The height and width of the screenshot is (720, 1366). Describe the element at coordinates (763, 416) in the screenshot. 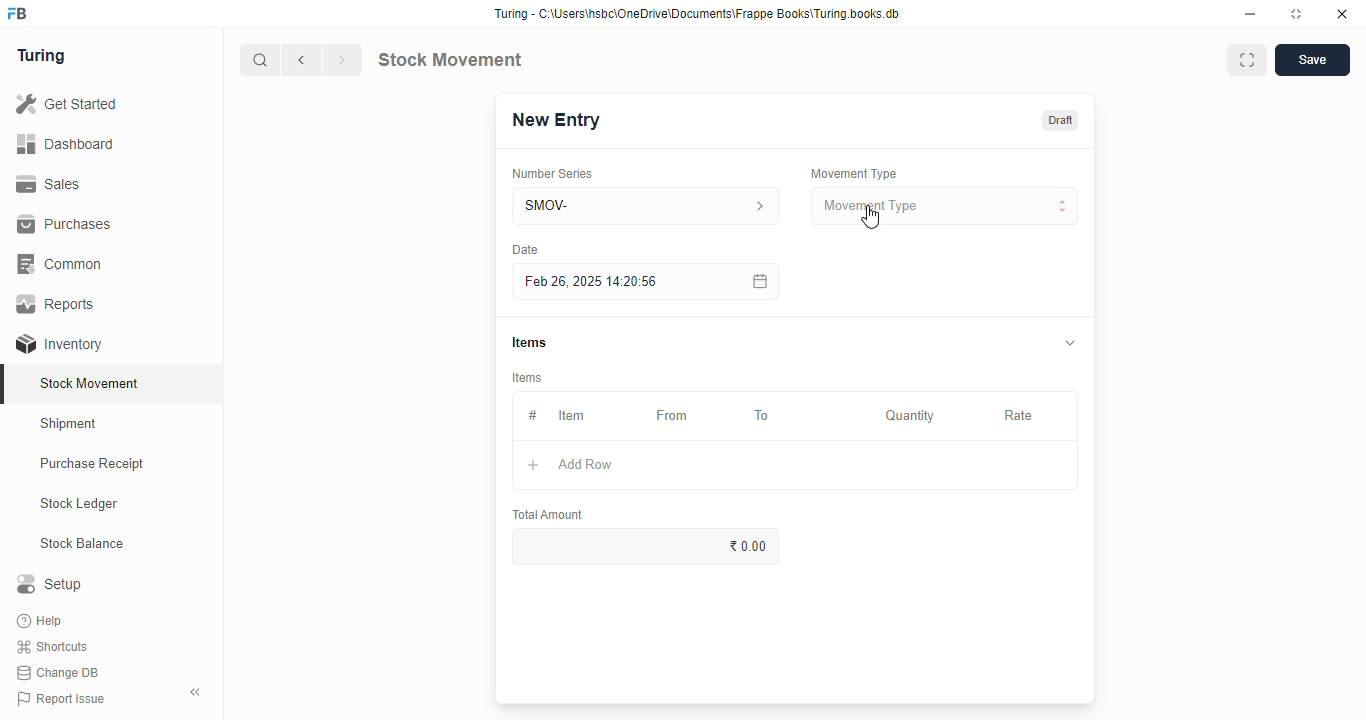

I see `to` at that location.